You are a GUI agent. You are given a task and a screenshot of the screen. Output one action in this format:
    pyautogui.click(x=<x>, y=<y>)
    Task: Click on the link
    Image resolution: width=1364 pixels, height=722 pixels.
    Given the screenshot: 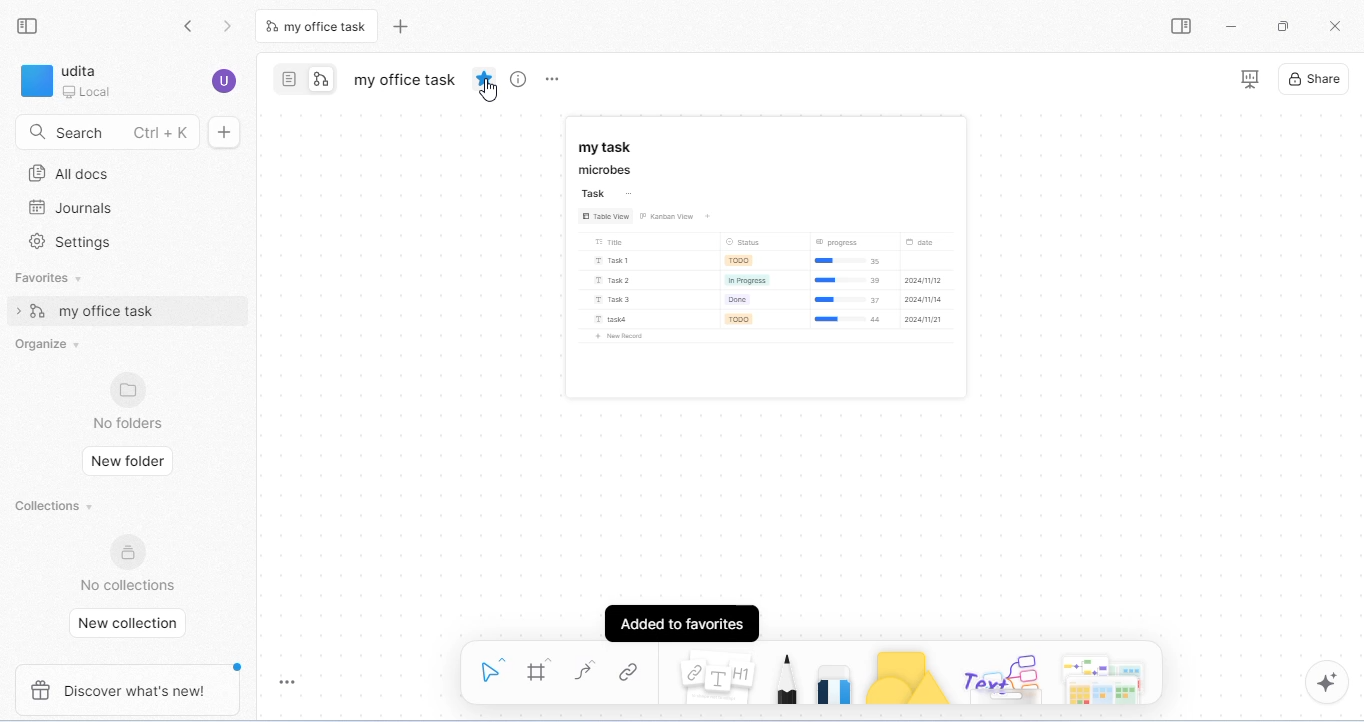 What is the action you would take?
    pyautogui.click(x=634, y=674)
    